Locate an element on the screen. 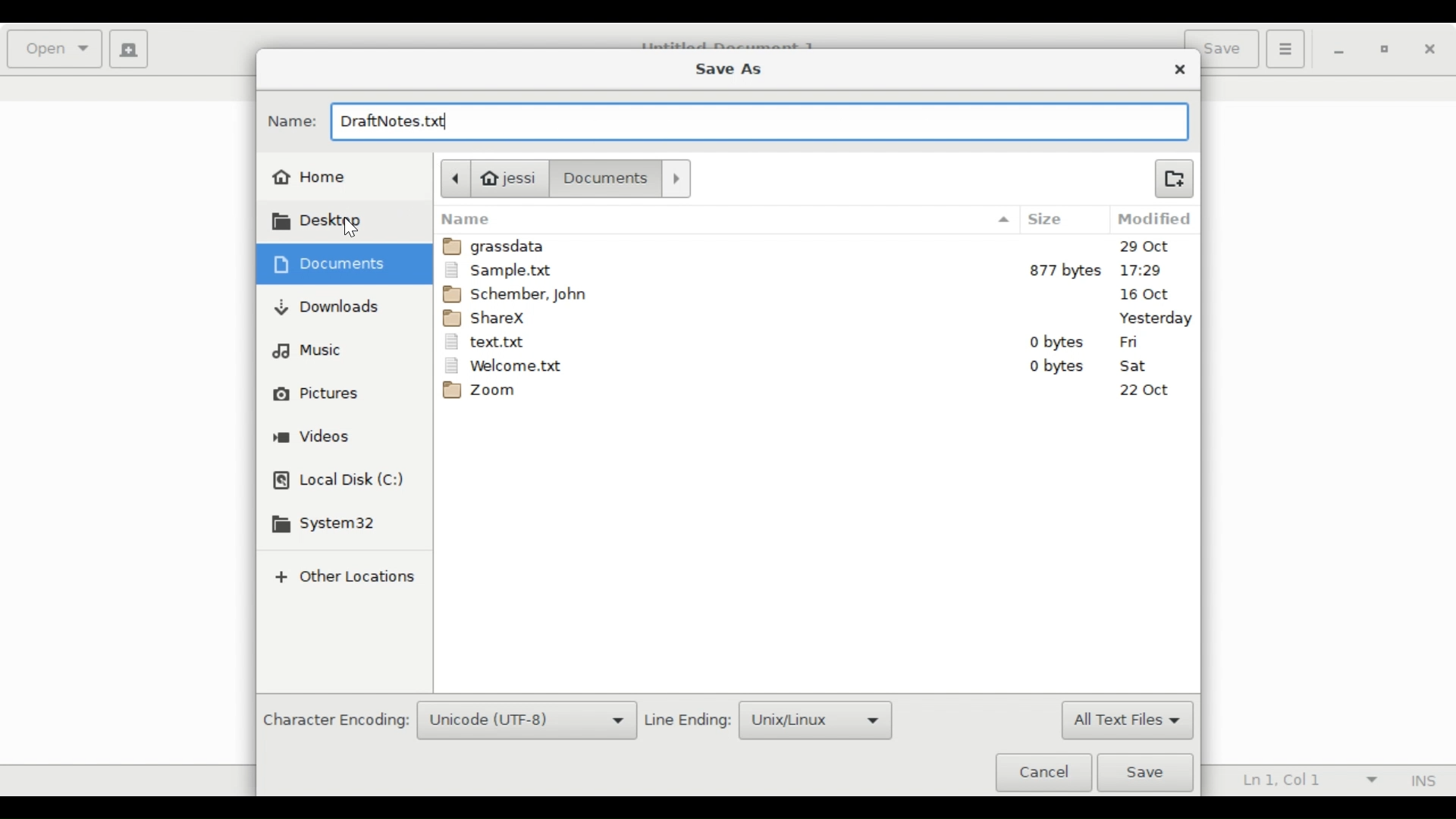 This screenshot has height=819, width=1456. Cancel is located at coordinates (1043, 771).